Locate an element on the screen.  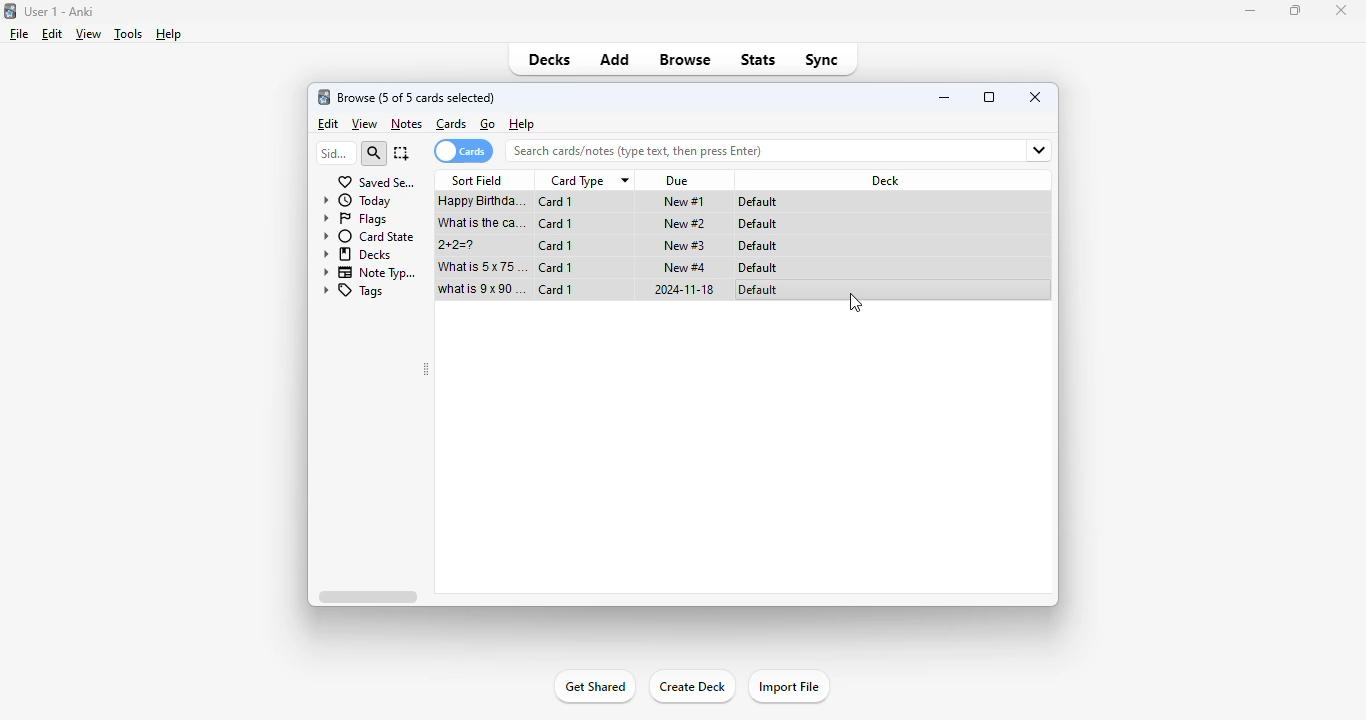
new #2 is located at coordinates (685, 224).